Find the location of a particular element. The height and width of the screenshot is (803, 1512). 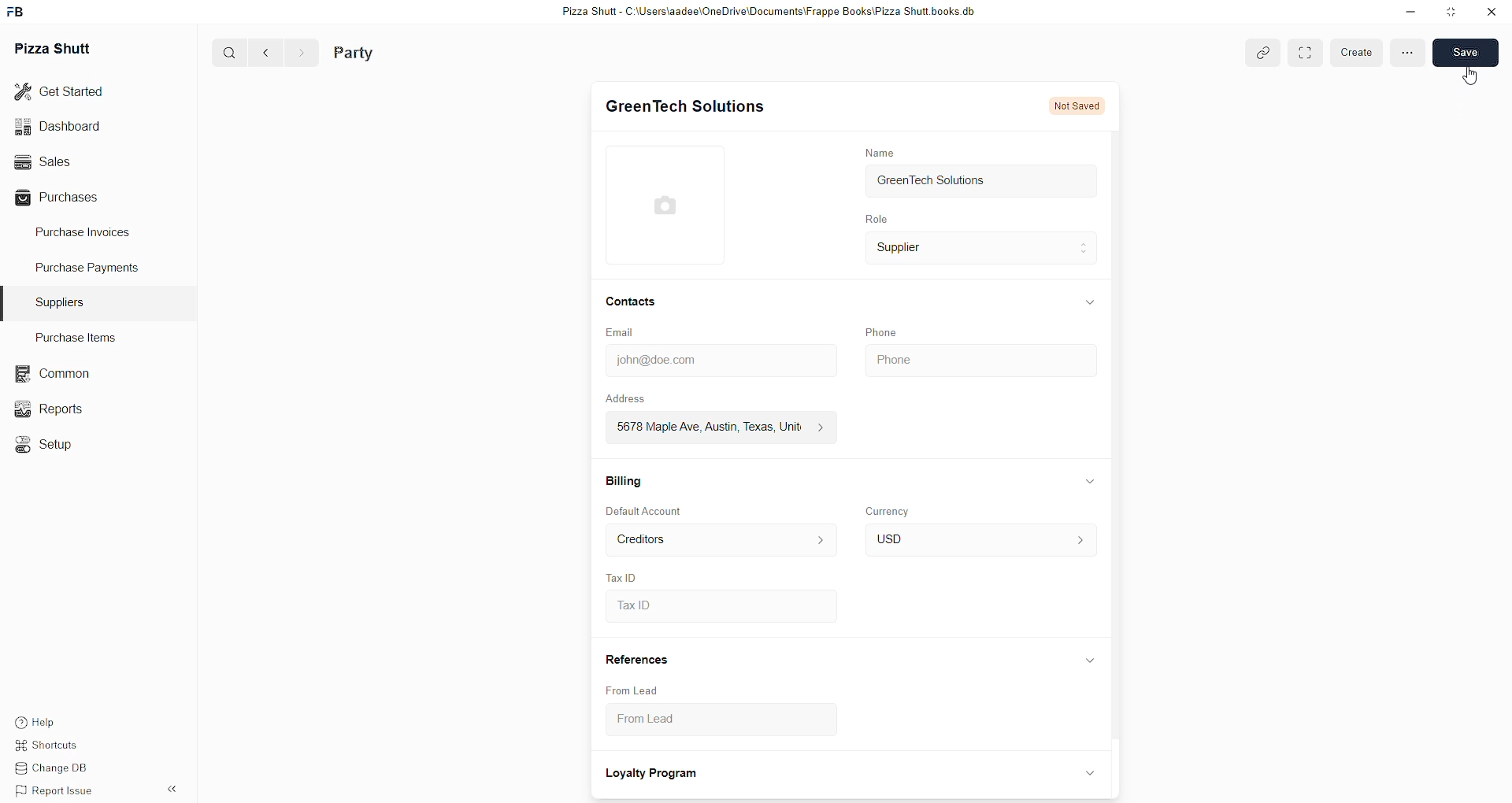

References is located at coordinates (637, 661).